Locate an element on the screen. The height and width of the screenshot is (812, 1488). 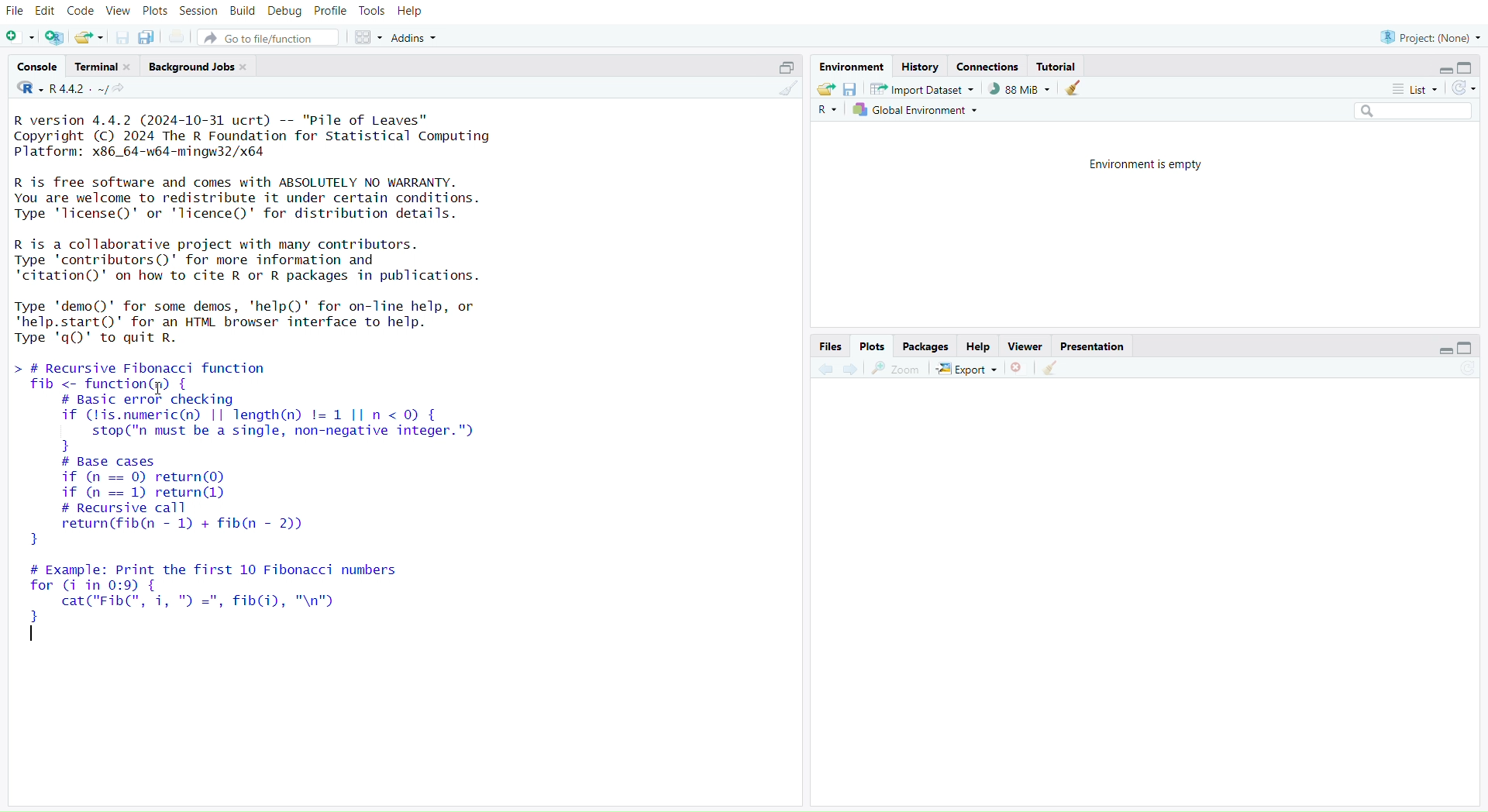
save all open documents is located at coordinates (146, 36).